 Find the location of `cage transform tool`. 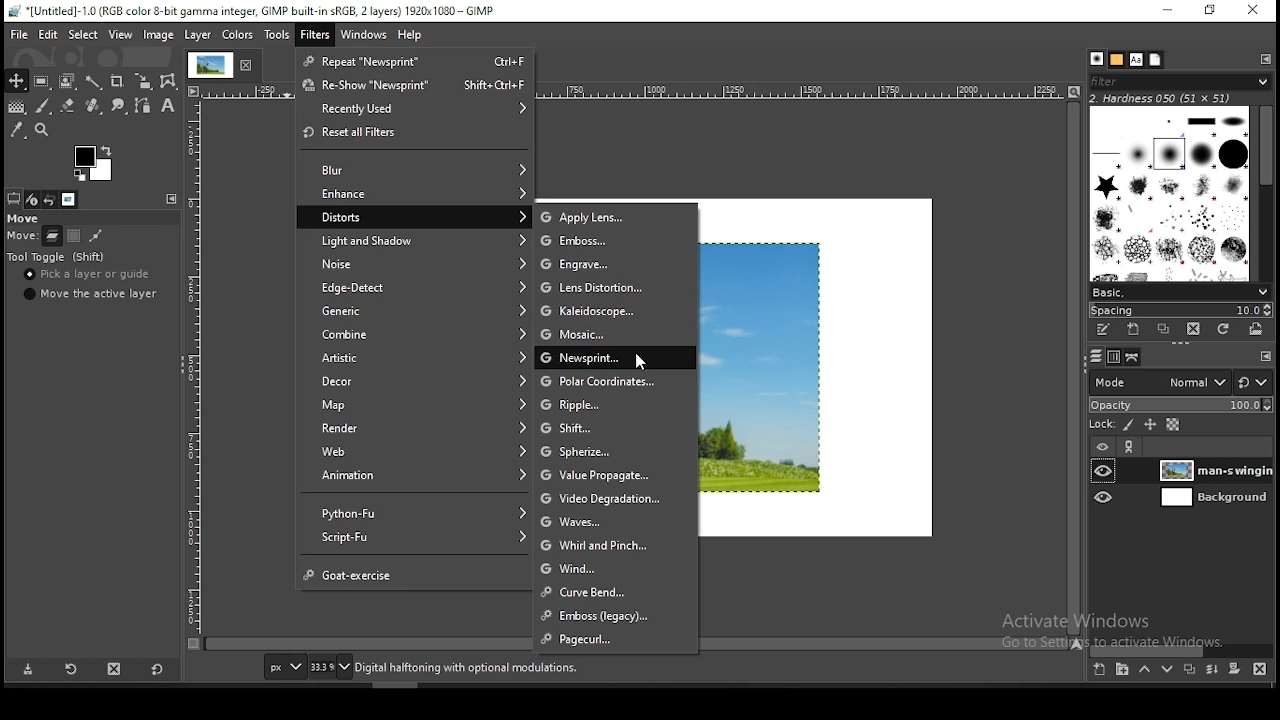

cage transform tool is located at coordinates (170, 82).